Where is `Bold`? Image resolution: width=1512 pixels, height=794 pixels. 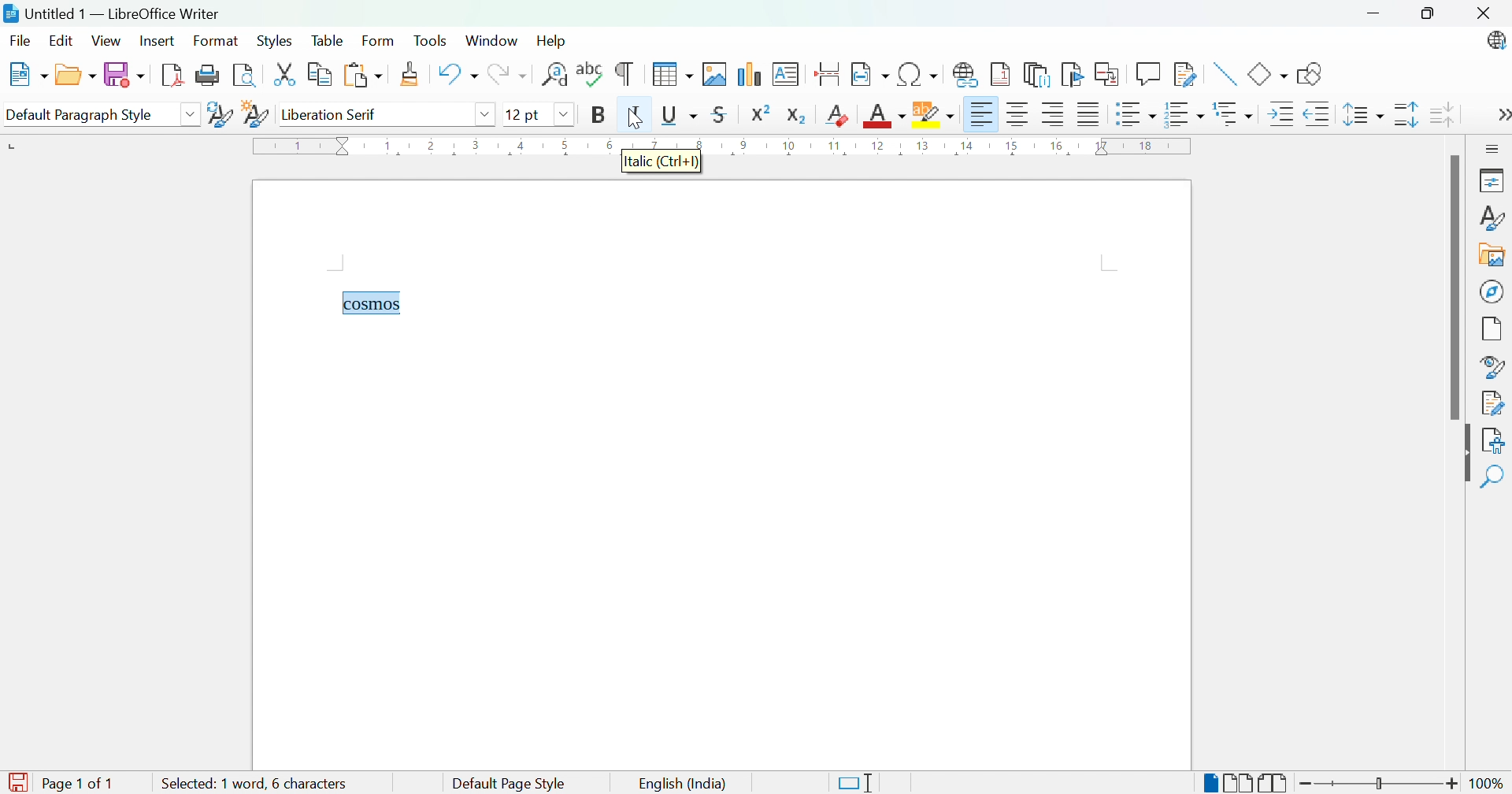
Bold is located at coordinates (595, 114).